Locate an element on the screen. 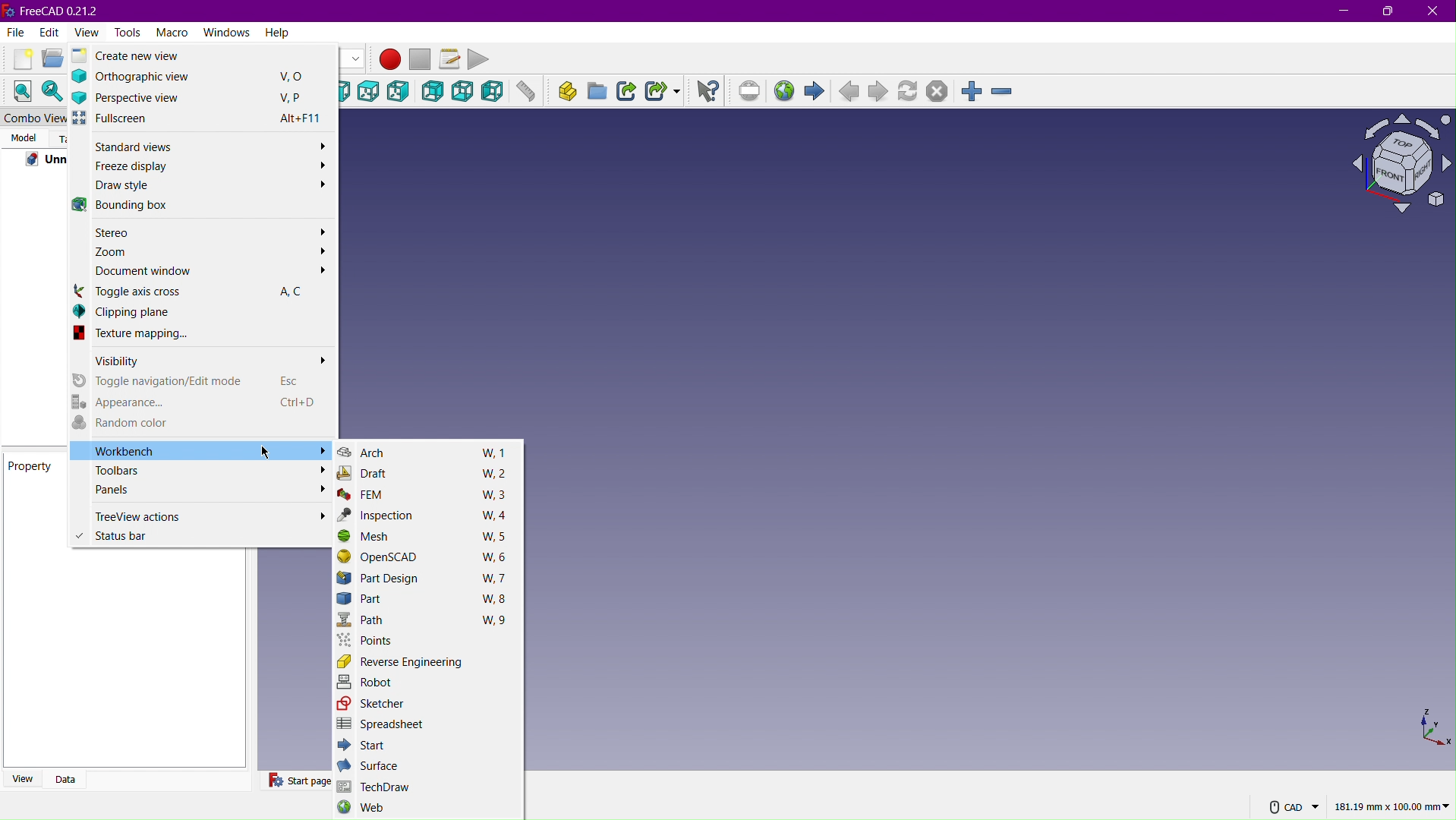 This screenshot has width=1456, height=820. Set URL is located at coordinates (751, 92).